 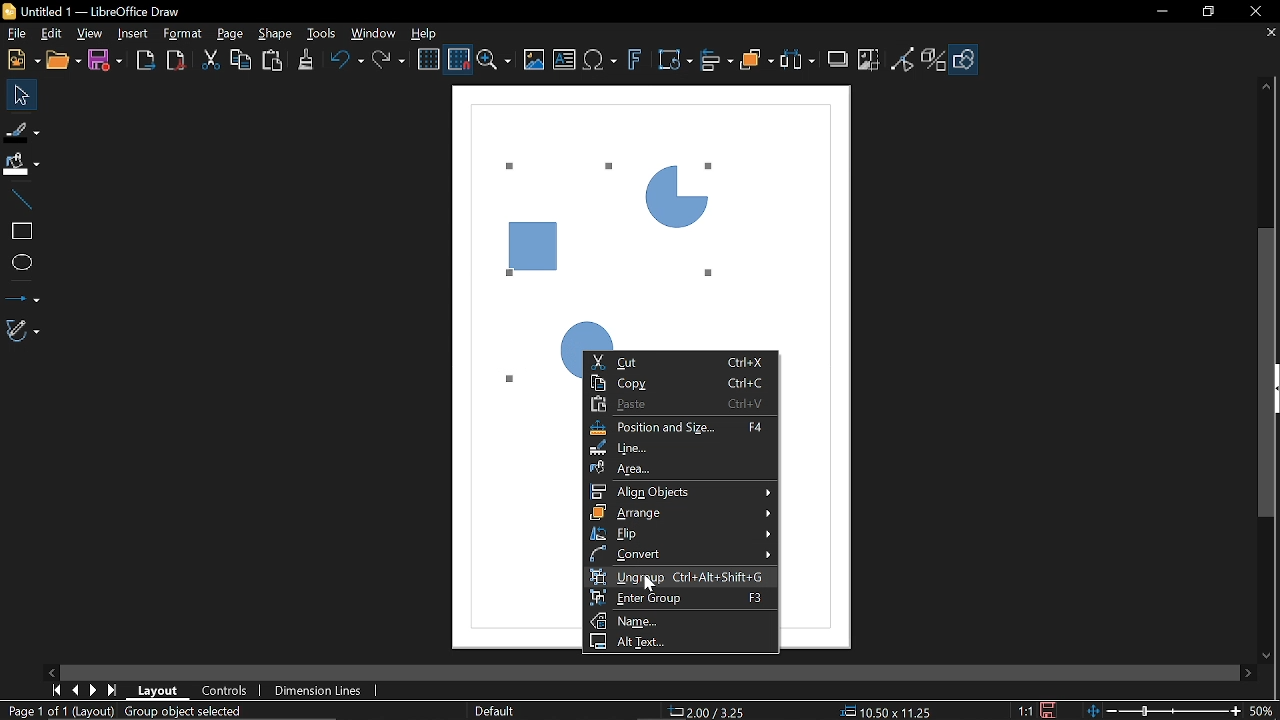 I want to click on Arrange, so click(x=757, y=62).